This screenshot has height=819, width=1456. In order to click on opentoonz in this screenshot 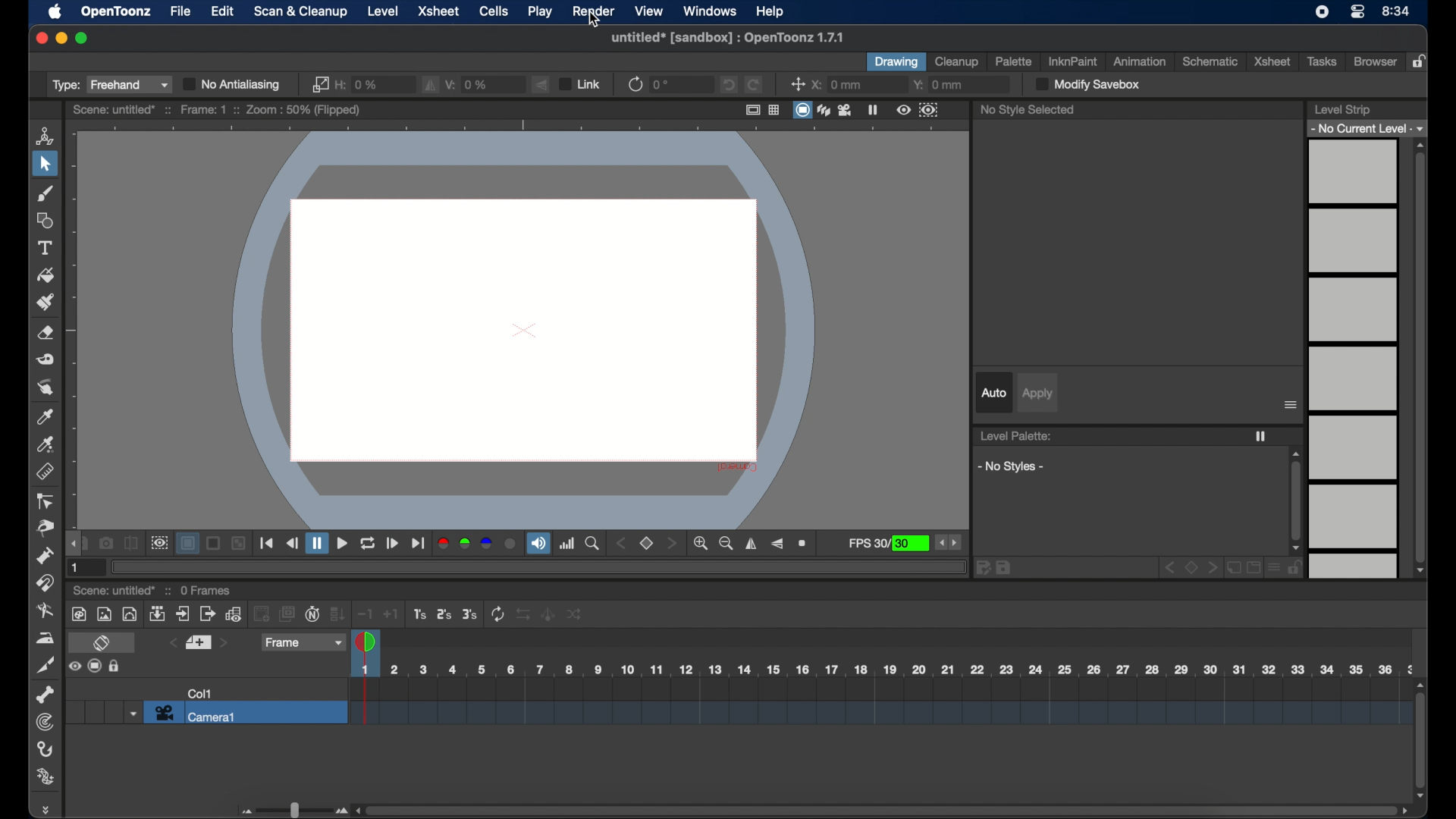, I will do `click(118, 12)`.